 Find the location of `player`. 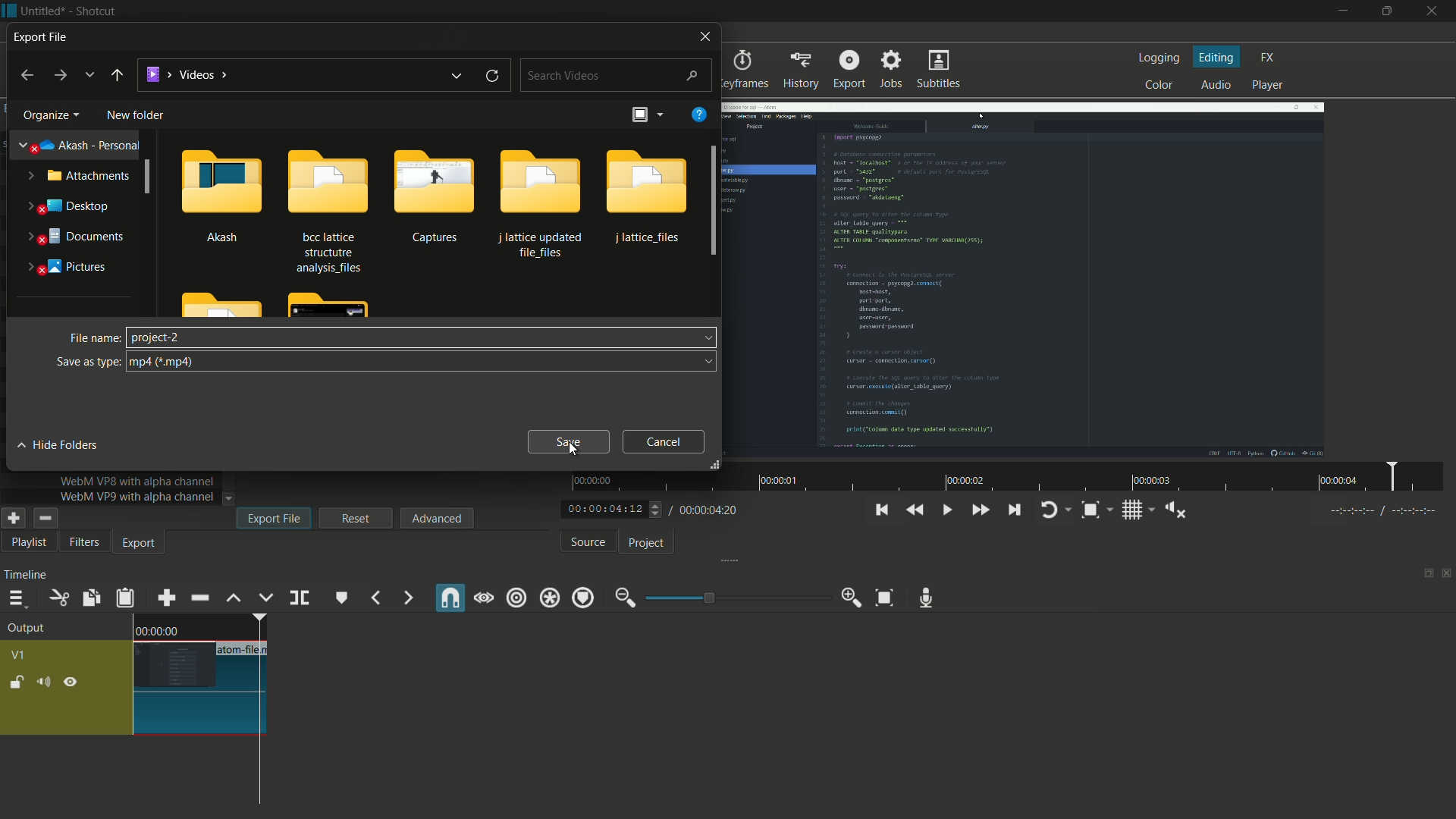

player is located at coordinates (1268, 85).